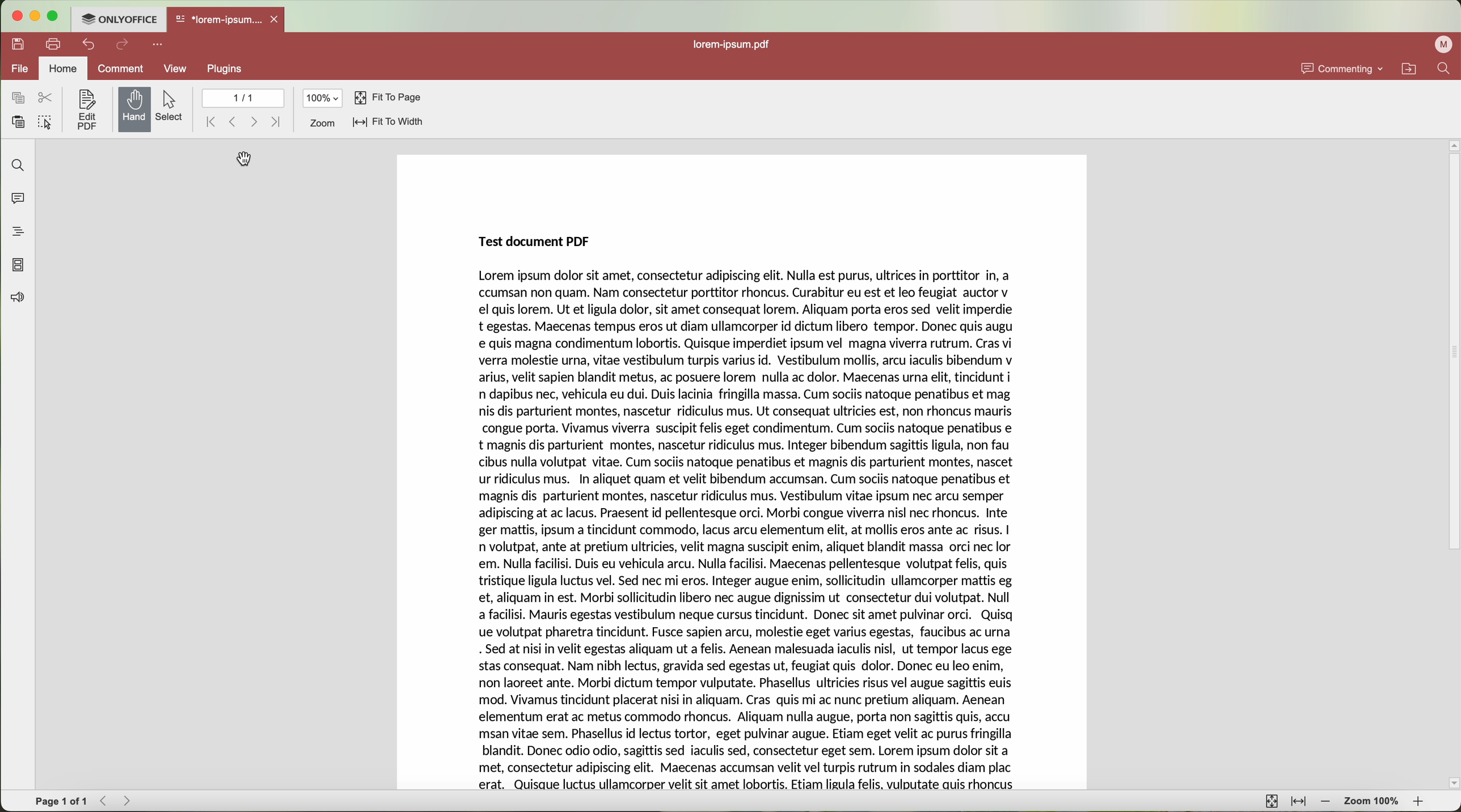 This screenshot has height=812, width=1461. What do you see at coordinates (219, 18) in the screenshot?
I see `*lorem-ipsum....` at bounding box center [219, 18].